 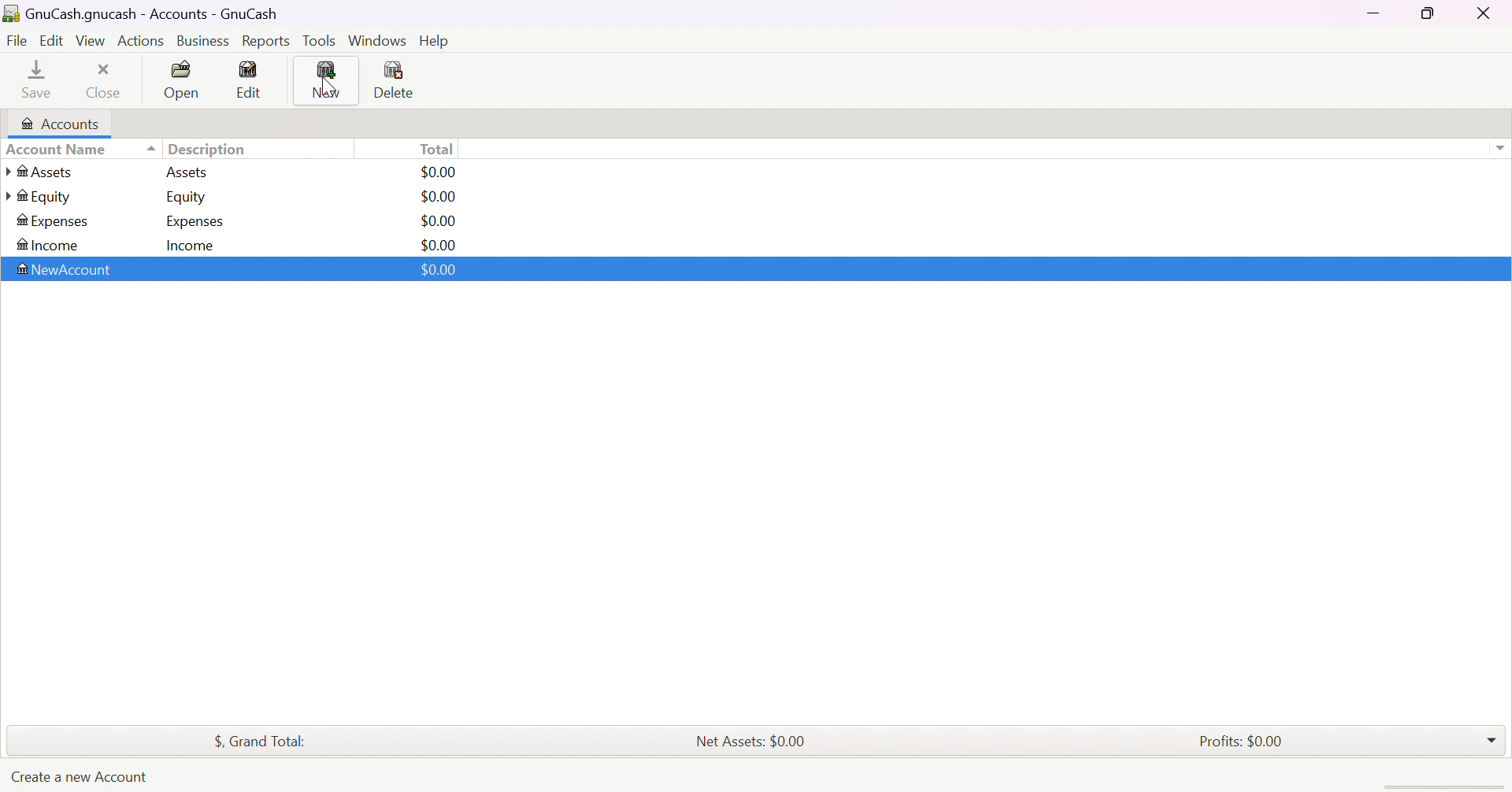 What do you see at coordinates (270, 41) in the screenshot?
I see `Reports` at bounding box center [270, 41].